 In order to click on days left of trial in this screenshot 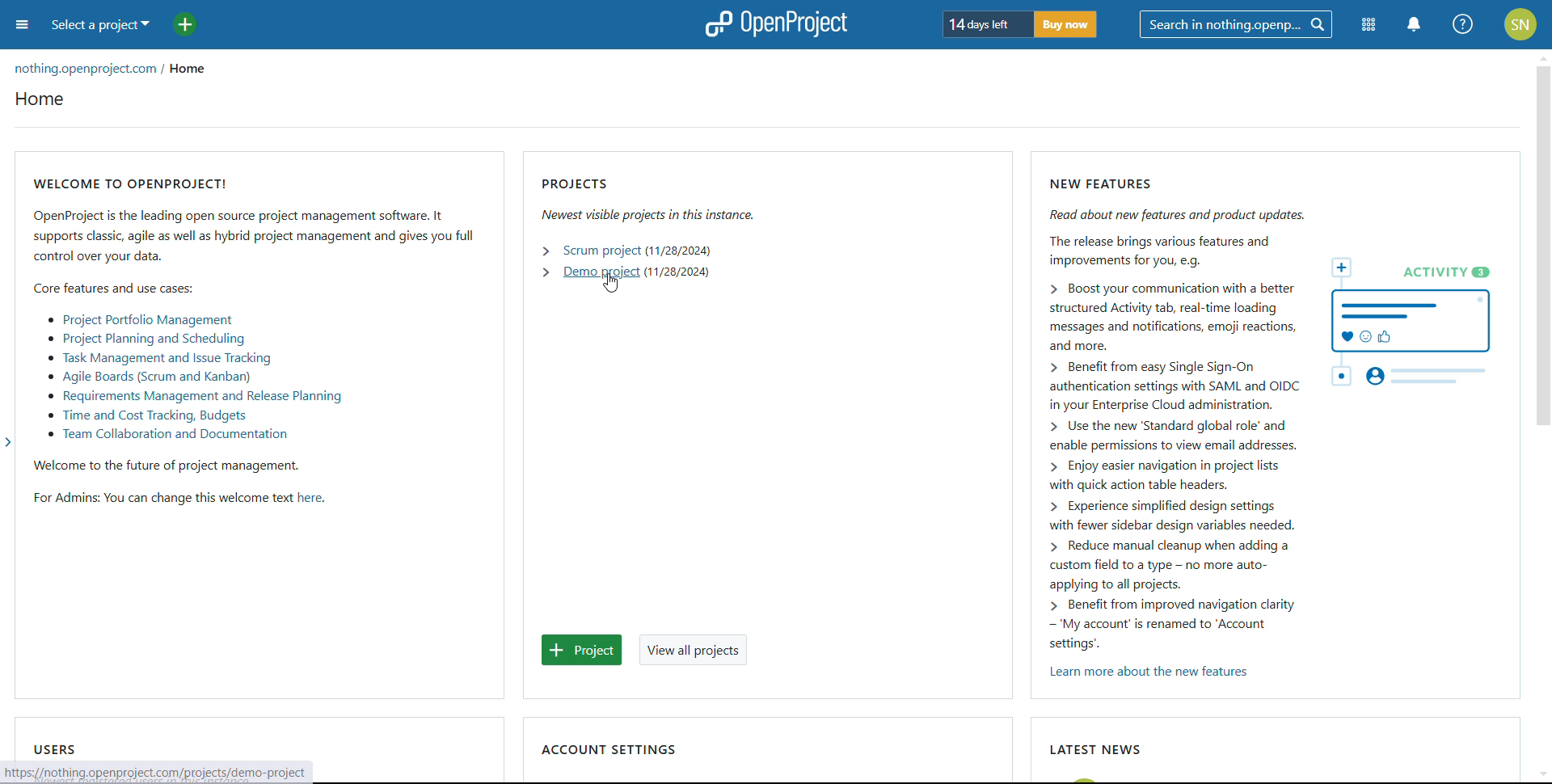, I will do `click(981, 23)`.